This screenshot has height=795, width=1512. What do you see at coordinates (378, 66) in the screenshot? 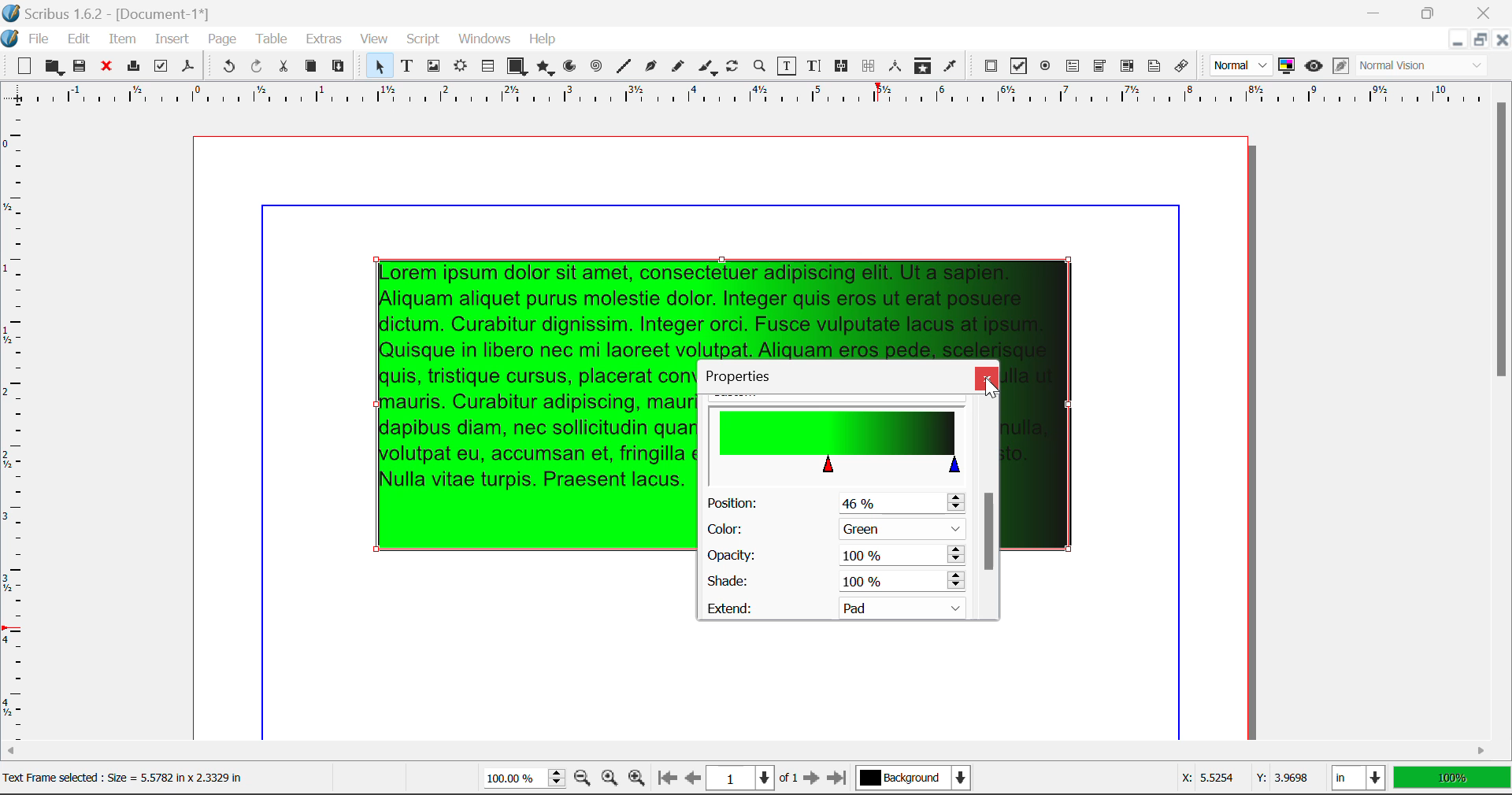
I see `Select` at bounding box center [378, 66].